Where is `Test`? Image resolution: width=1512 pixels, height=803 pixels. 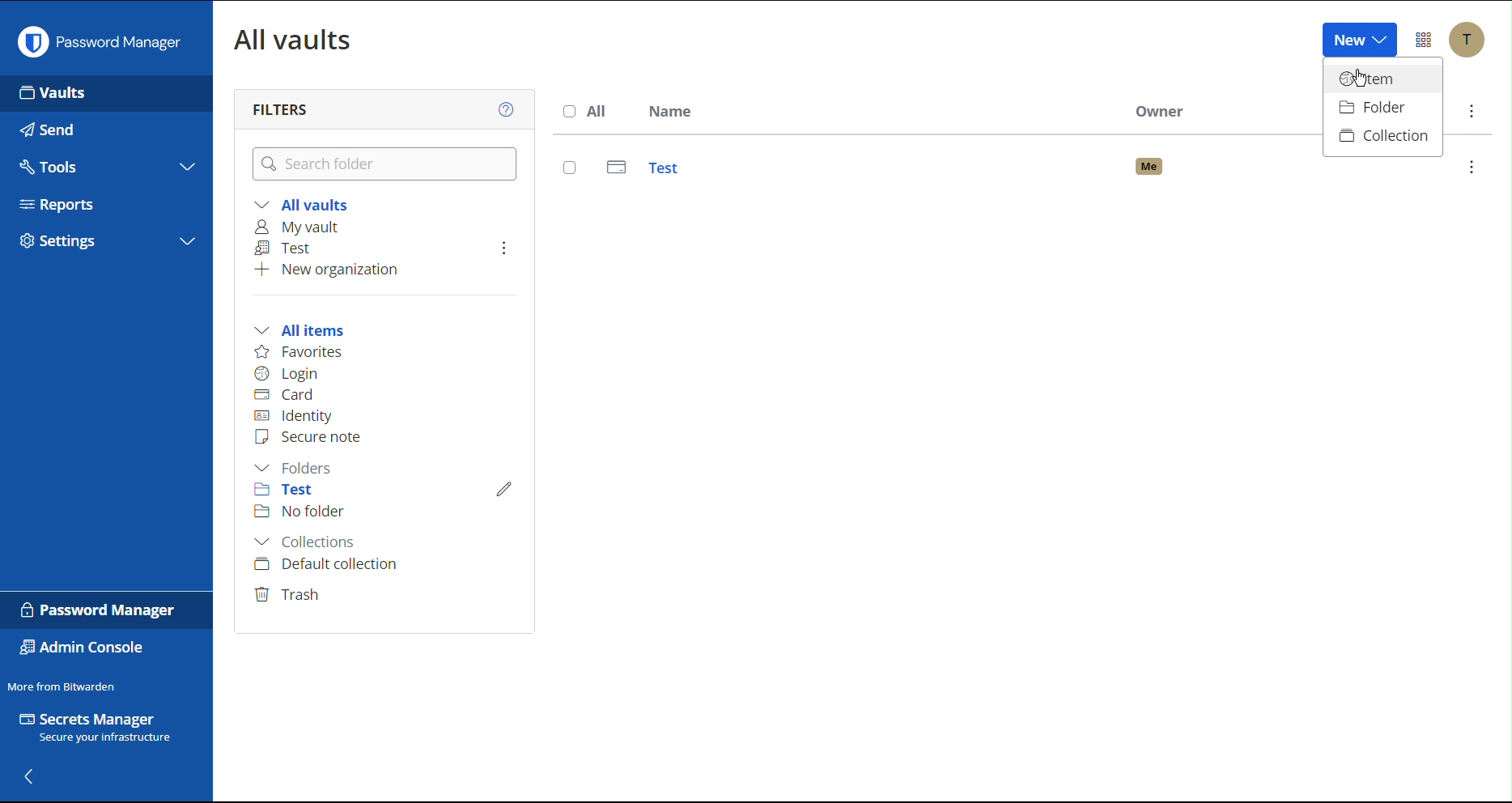
Test is located at coordinates (295, 492).